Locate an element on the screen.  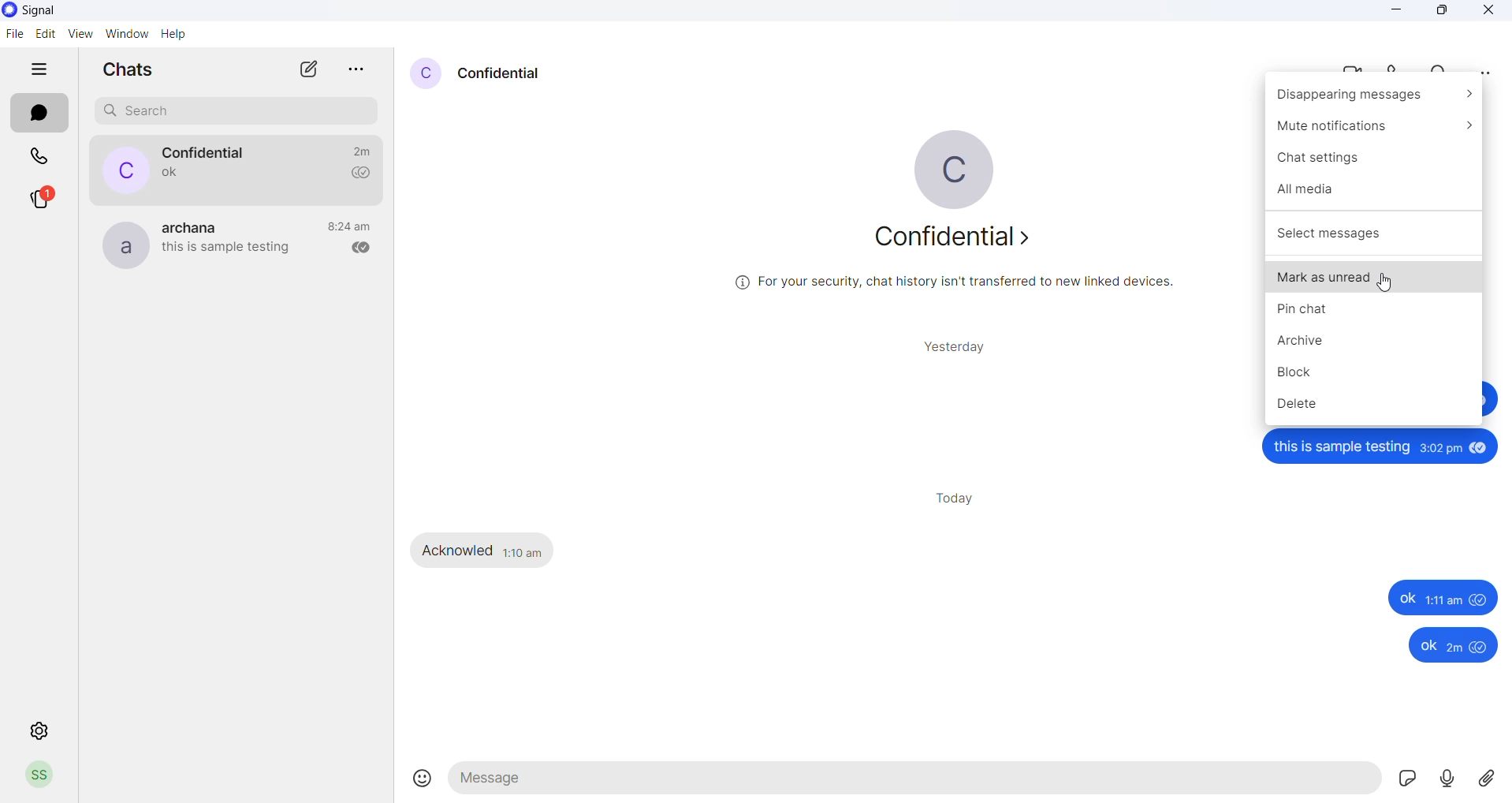
message text area is located at coordinates (916, 780).